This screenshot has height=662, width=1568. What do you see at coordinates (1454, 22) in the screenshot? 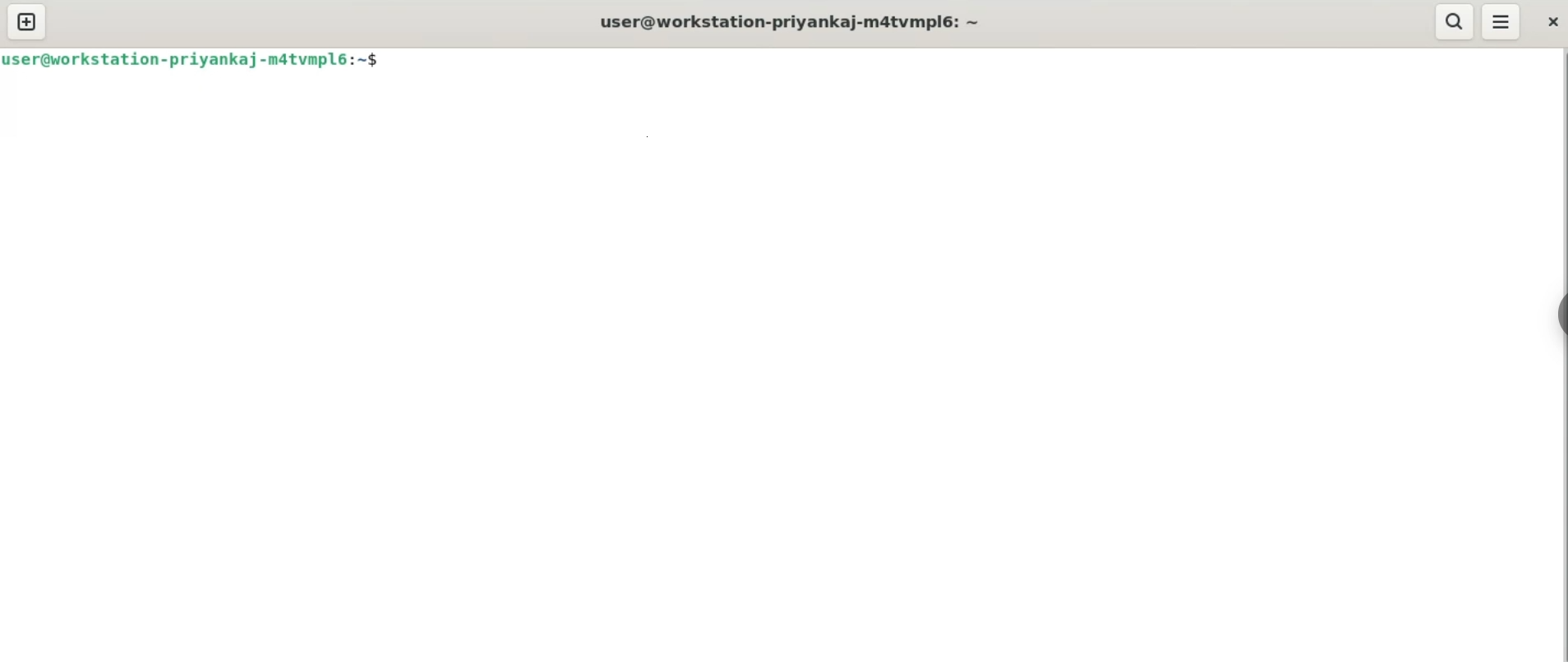
I see `search` at bounding box center [1454, 22].